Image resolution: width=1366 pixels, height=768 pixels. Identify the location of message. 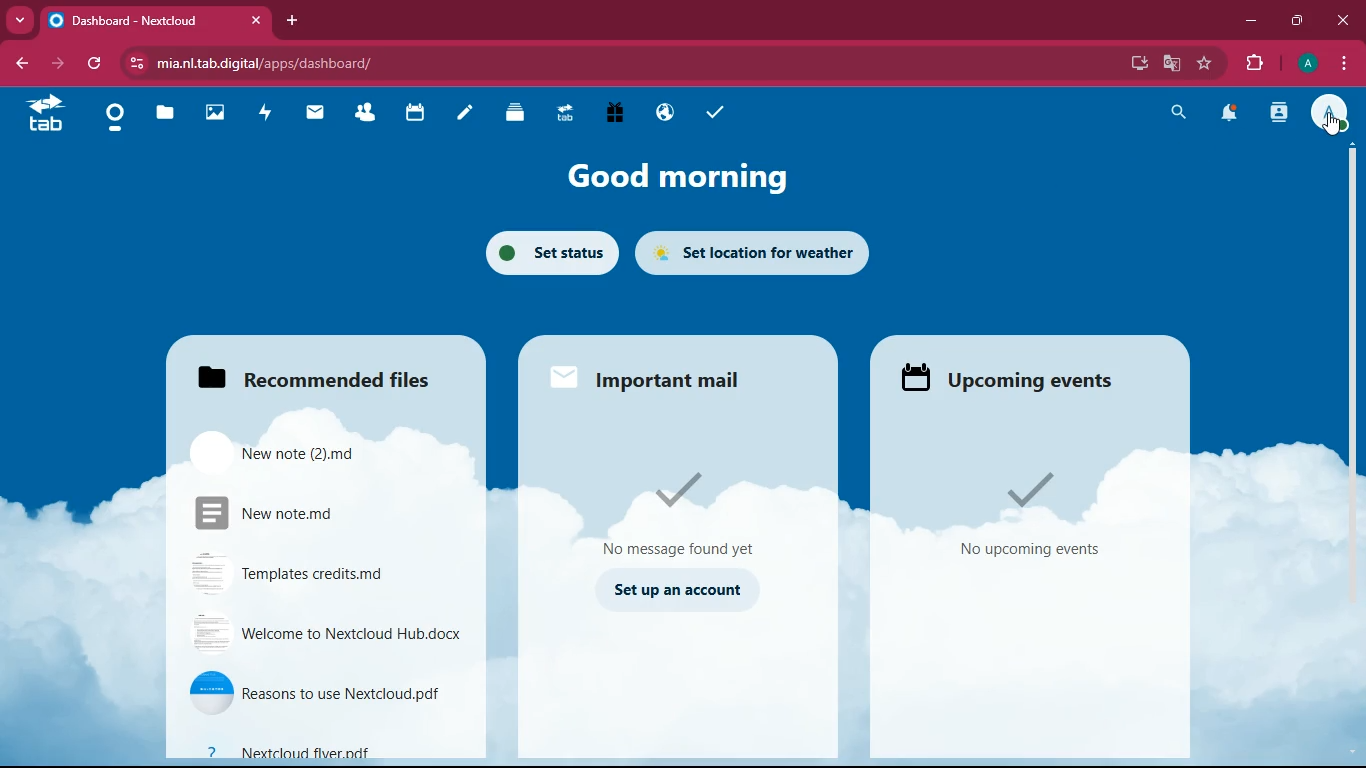
(683, 509).